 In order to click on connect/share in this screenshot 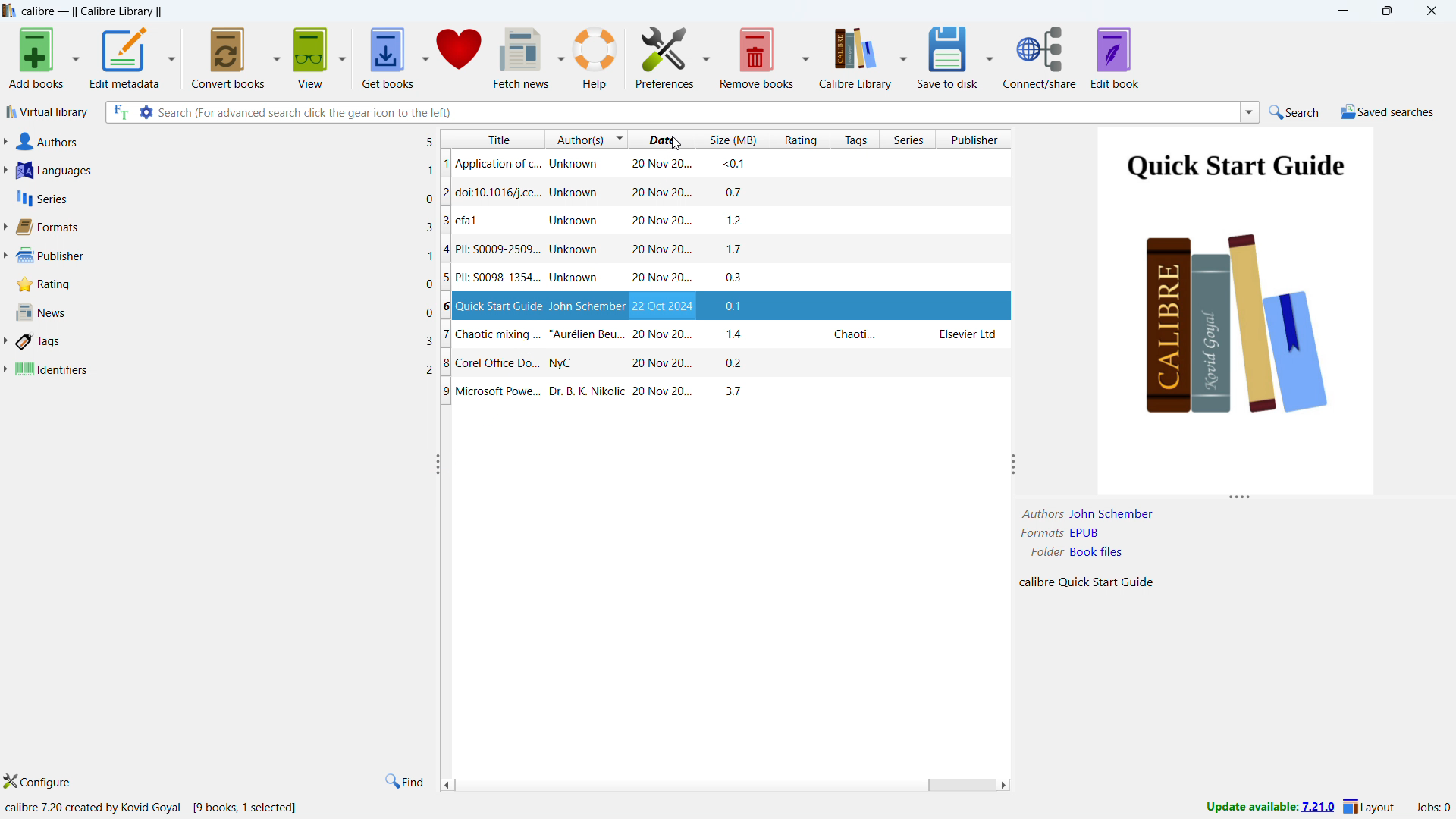, I will do `click(1040, 57)`.